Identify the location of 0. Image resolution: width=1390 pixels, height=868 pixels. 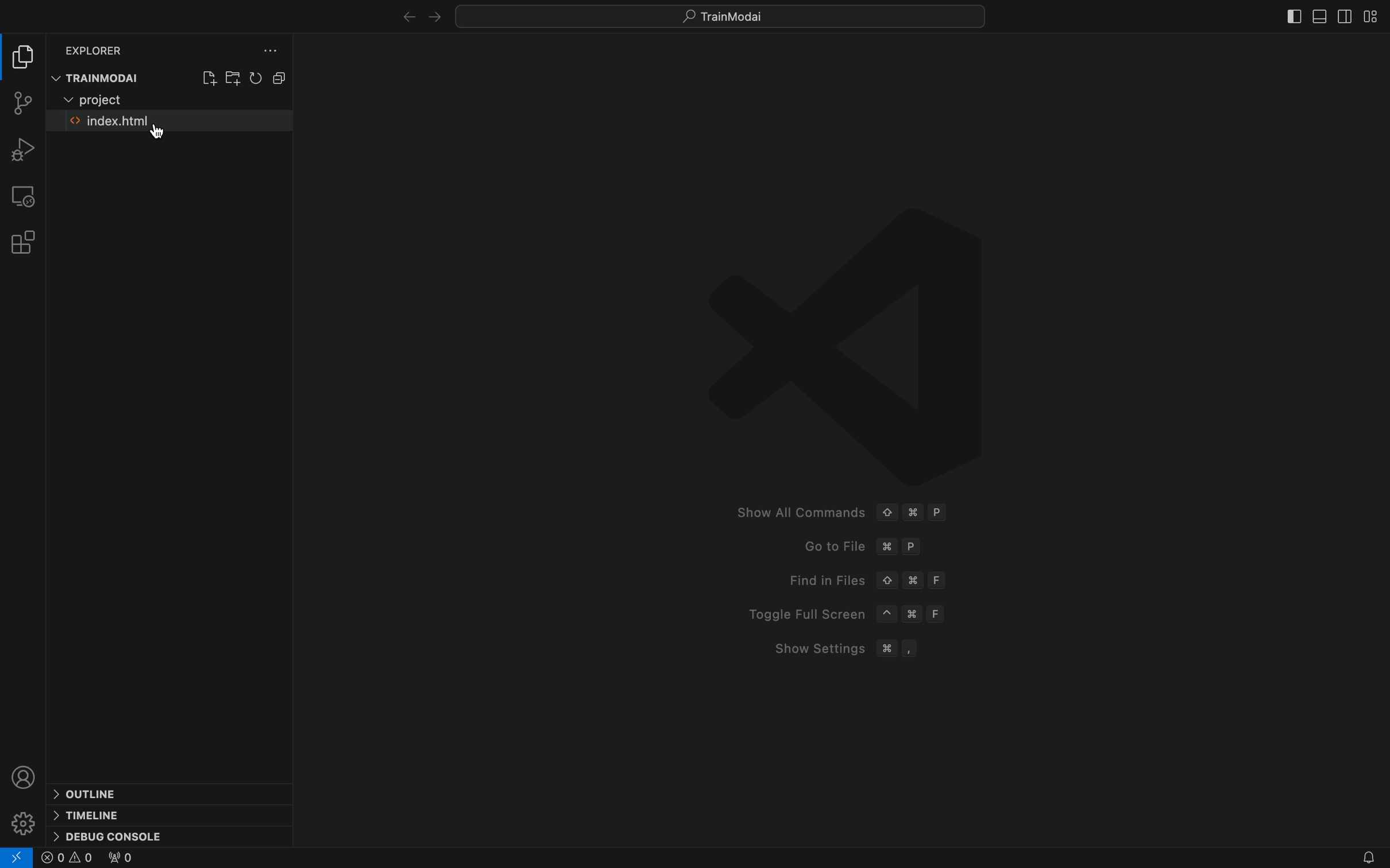
(120, 859).